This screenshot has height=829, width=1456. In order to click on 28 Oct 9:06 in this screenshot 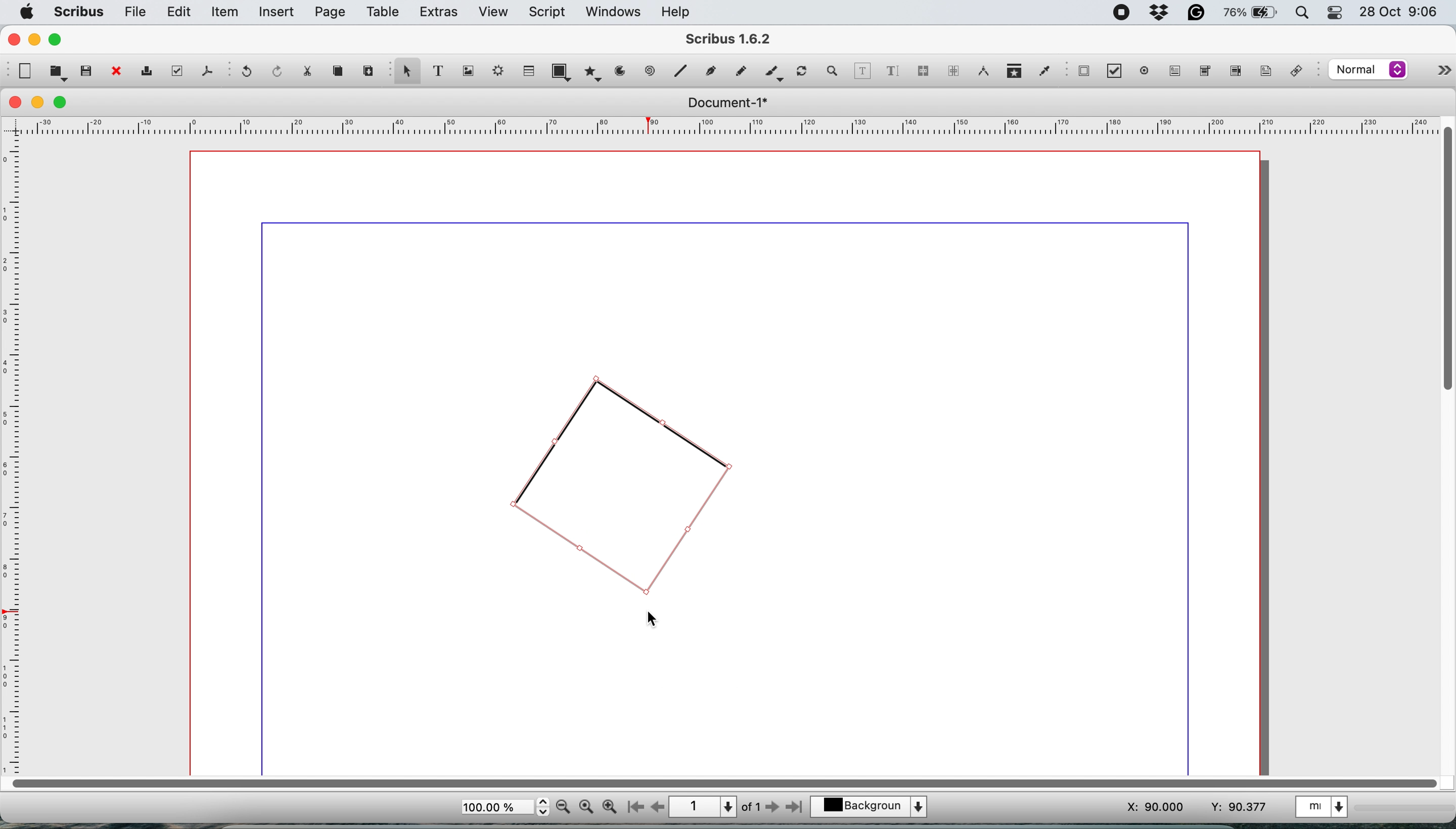, I will do `click(1396, 11)`.